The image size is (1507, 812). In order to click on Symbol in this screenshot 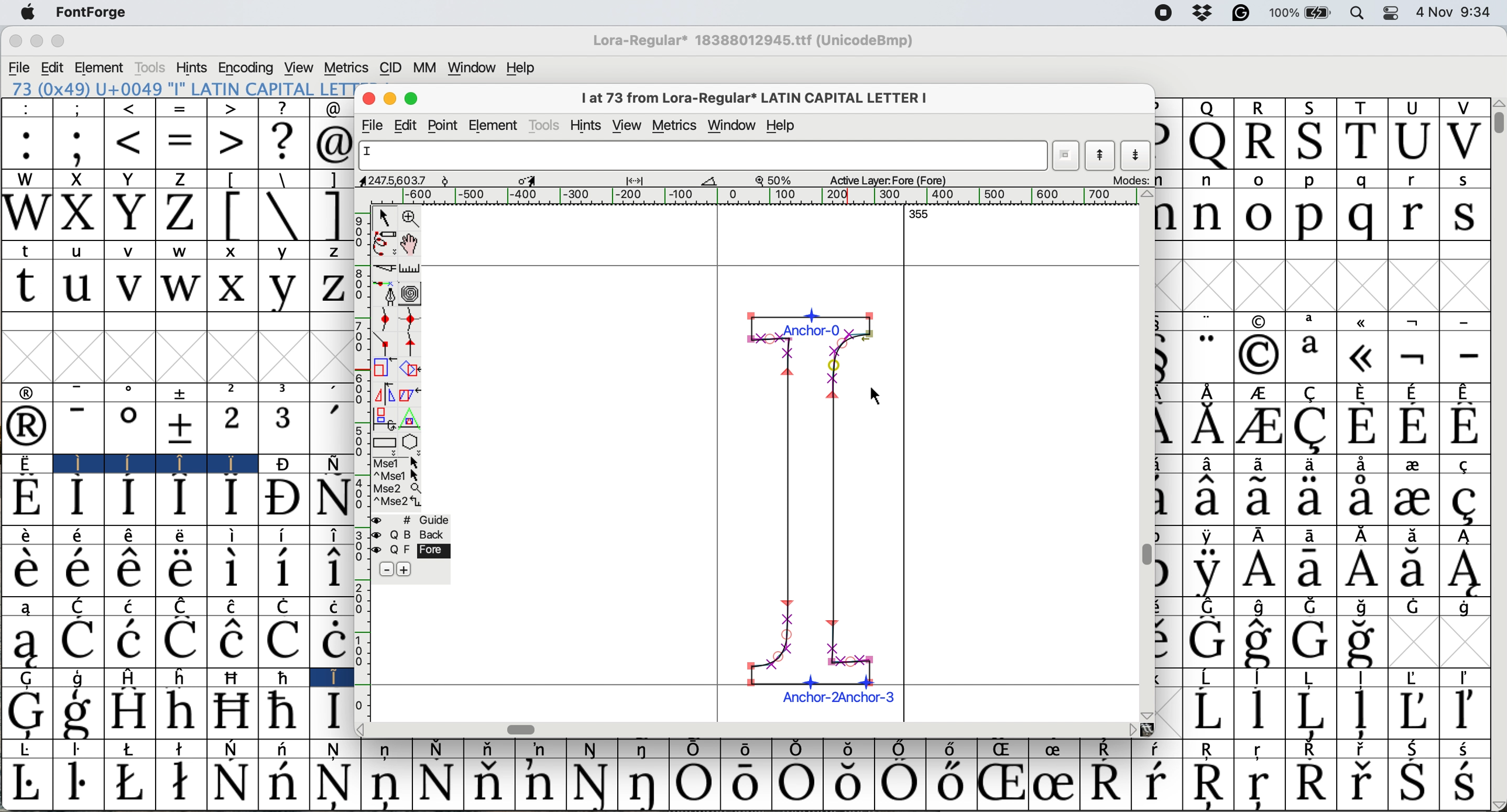, I will do `click(1004, 750)`.